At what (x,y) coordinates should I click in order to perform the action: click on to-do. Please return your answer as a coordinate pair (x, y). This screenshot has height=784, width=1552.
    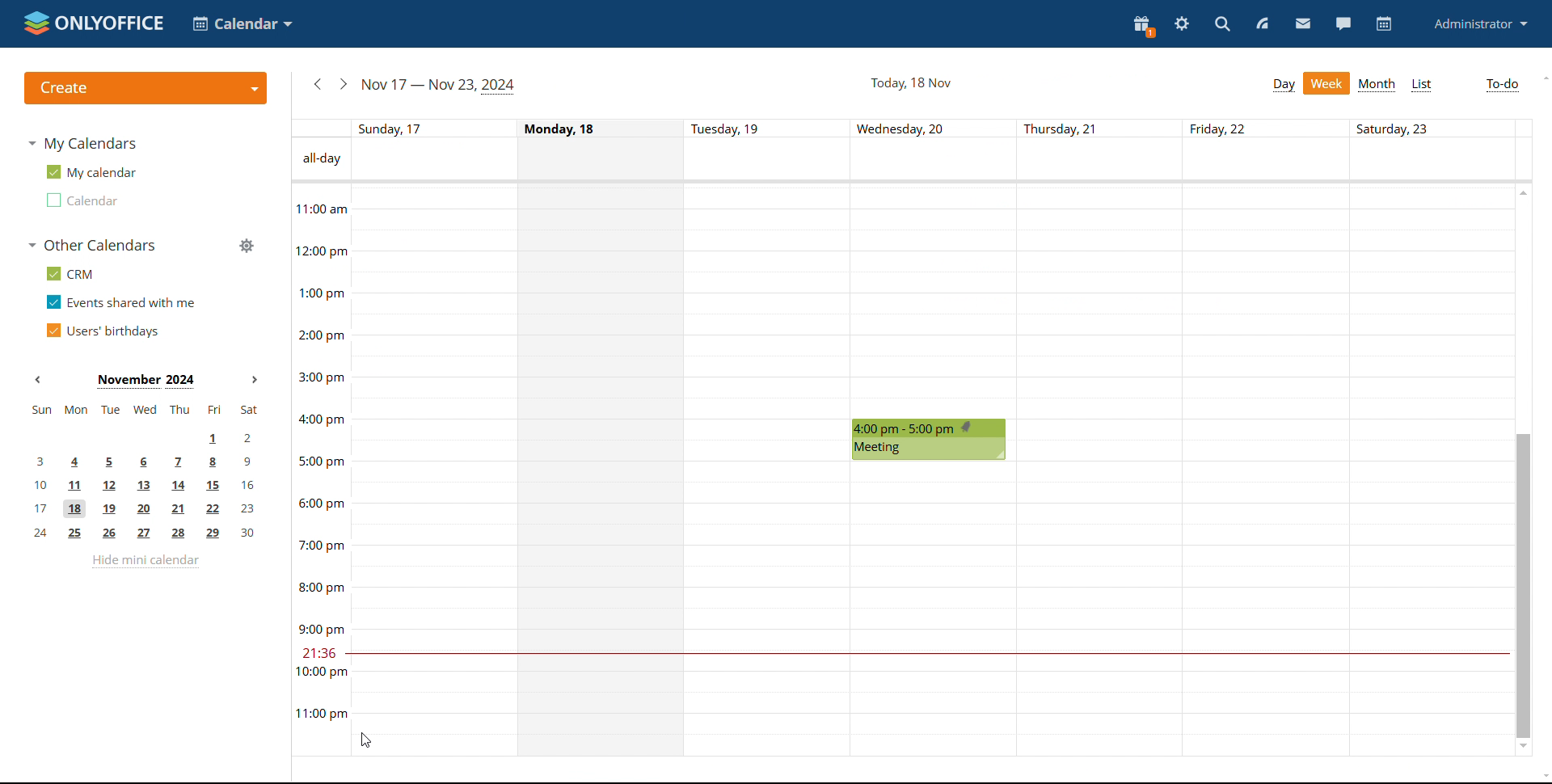
    Looking at the image, I should click on (1503, 86).